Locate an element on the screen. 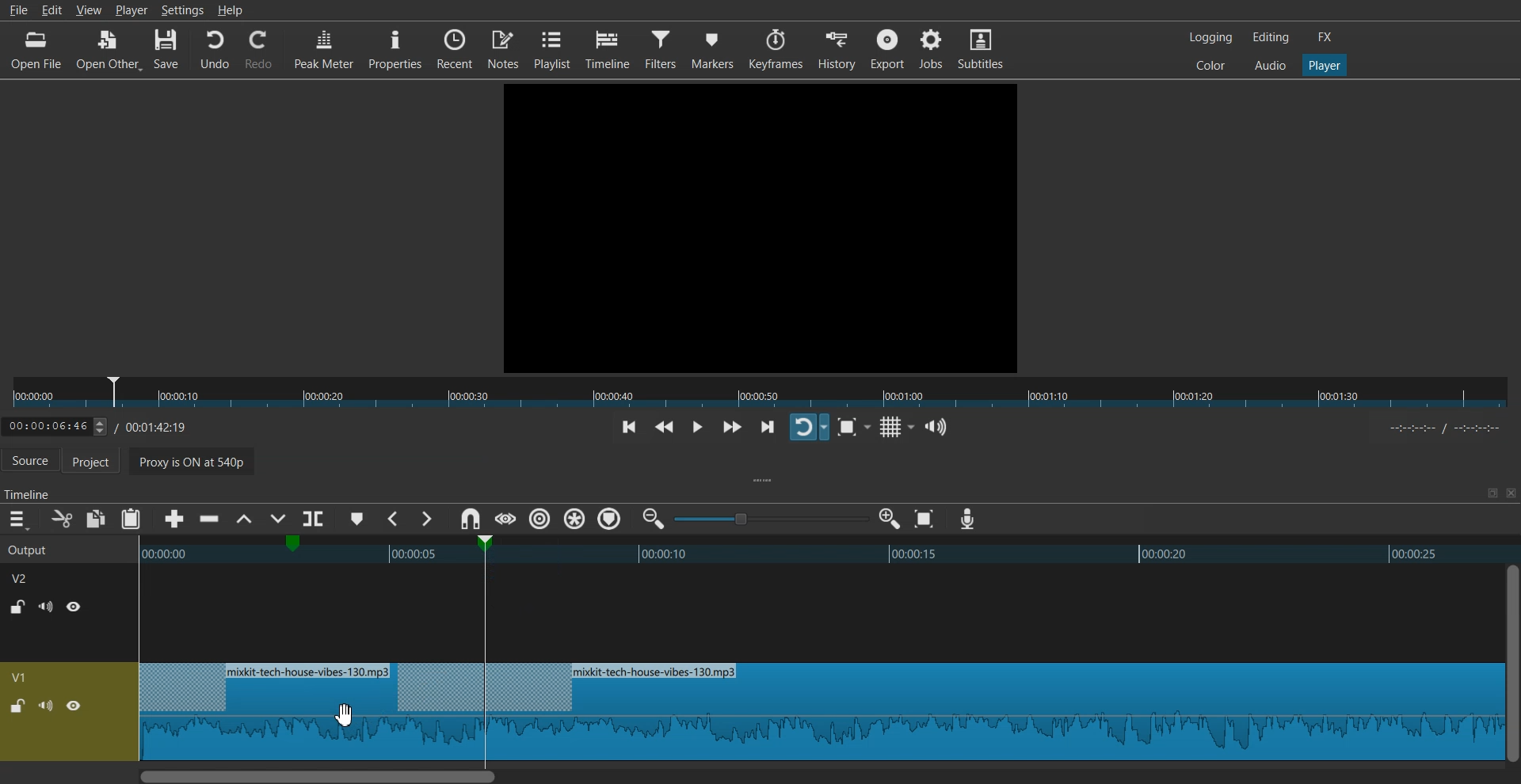 The image size is (1521, 784). Settings is located at coordinates (182, 10).